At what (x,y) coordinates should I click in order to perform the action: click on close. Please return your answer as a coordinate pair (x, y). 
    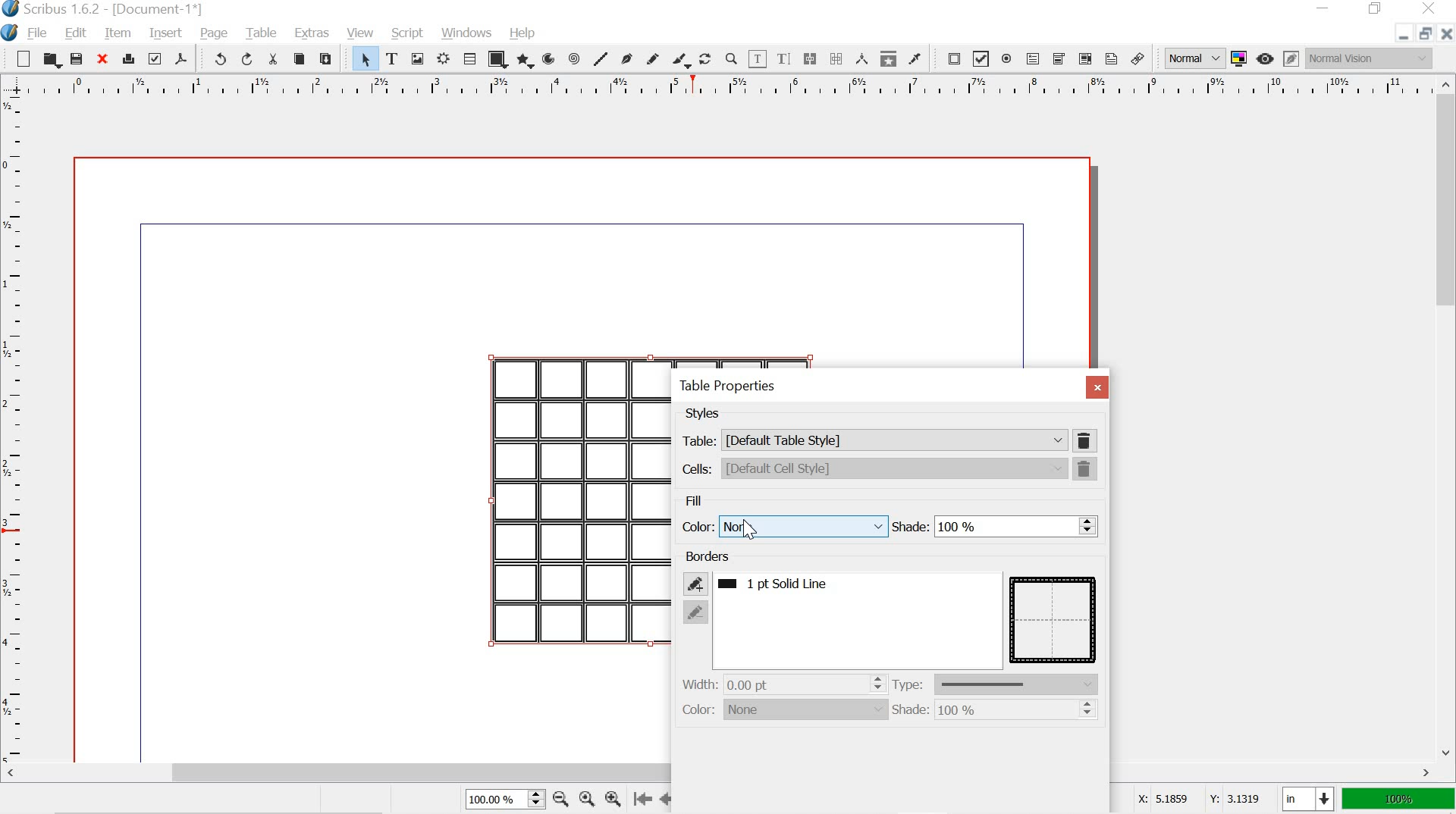
    Looking at the image, I should click on (1446, 33).